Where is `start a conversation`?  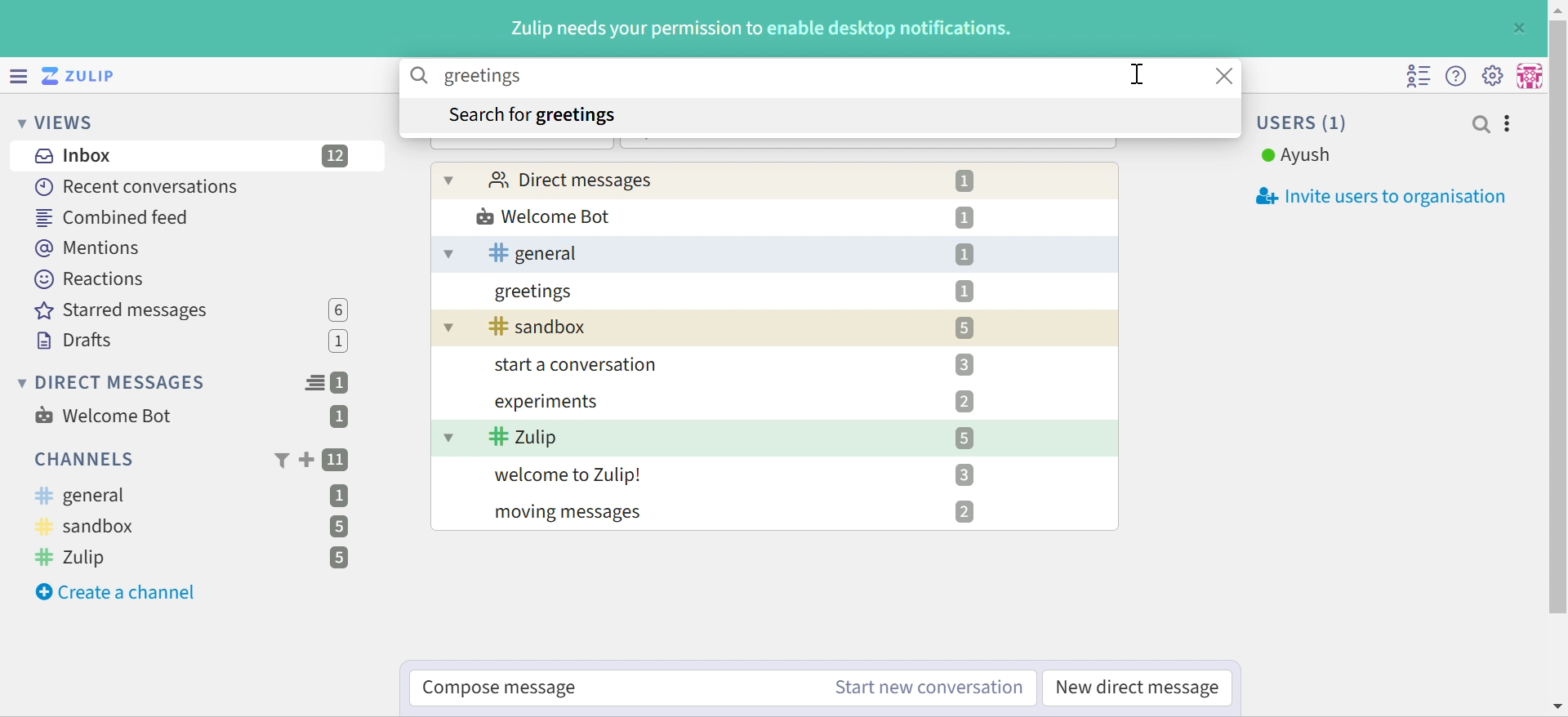 start a conversation is located at coordinates (584, 365).